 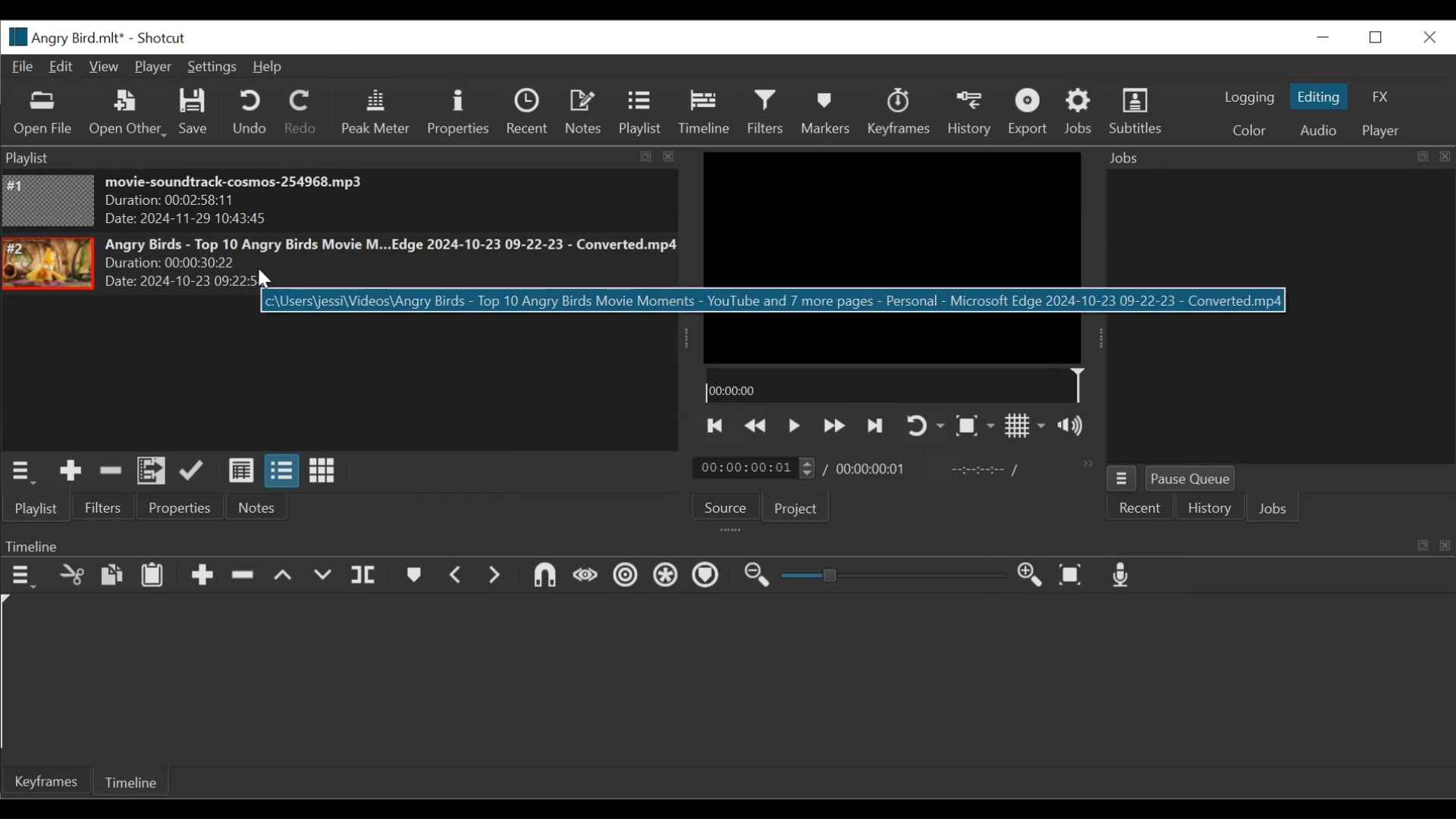 I want to click on Timeline, so click(x=135, y=781).